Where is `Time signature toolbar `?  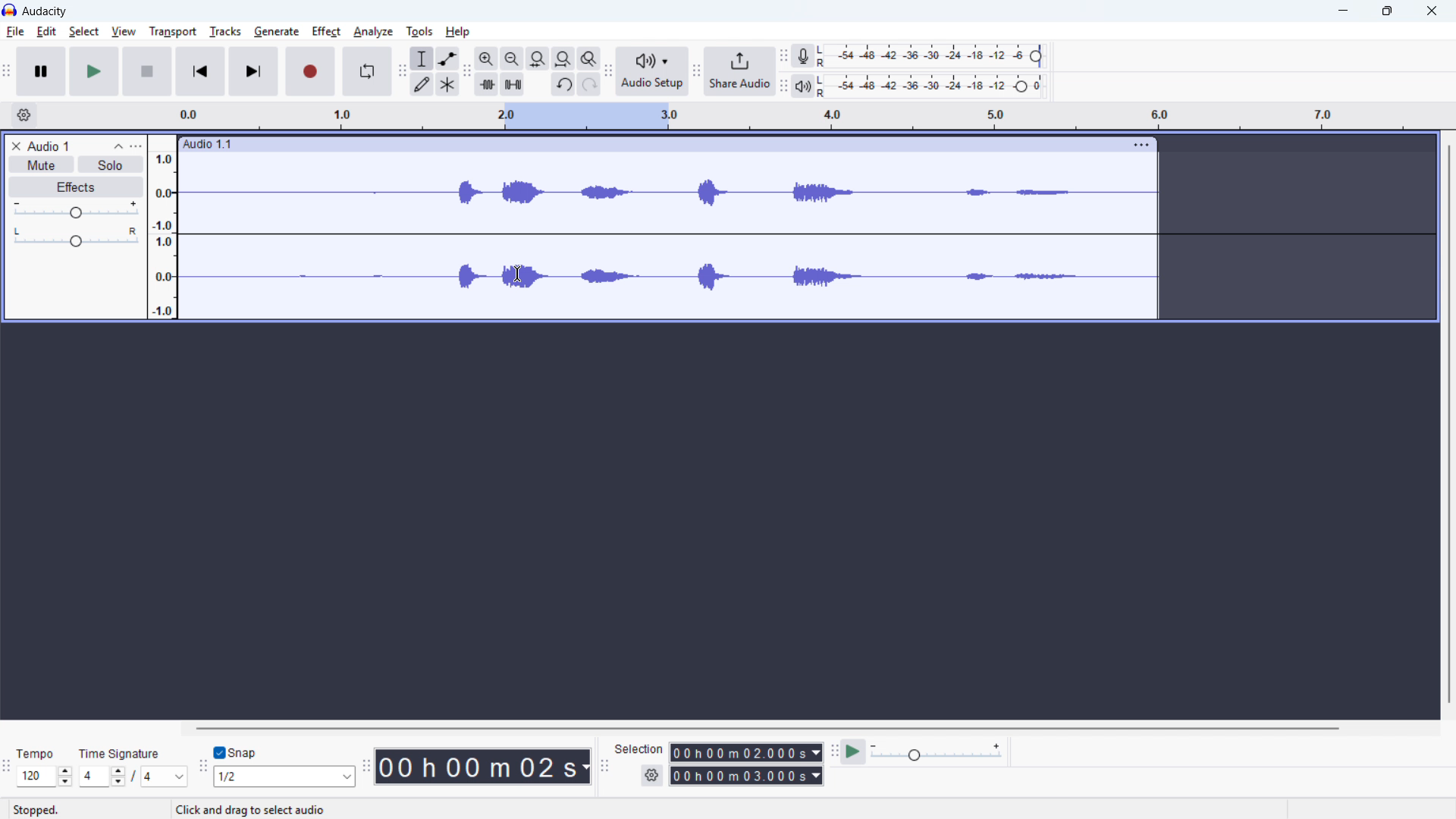
Time signature toolbar  is located at coordinates (8, 766).